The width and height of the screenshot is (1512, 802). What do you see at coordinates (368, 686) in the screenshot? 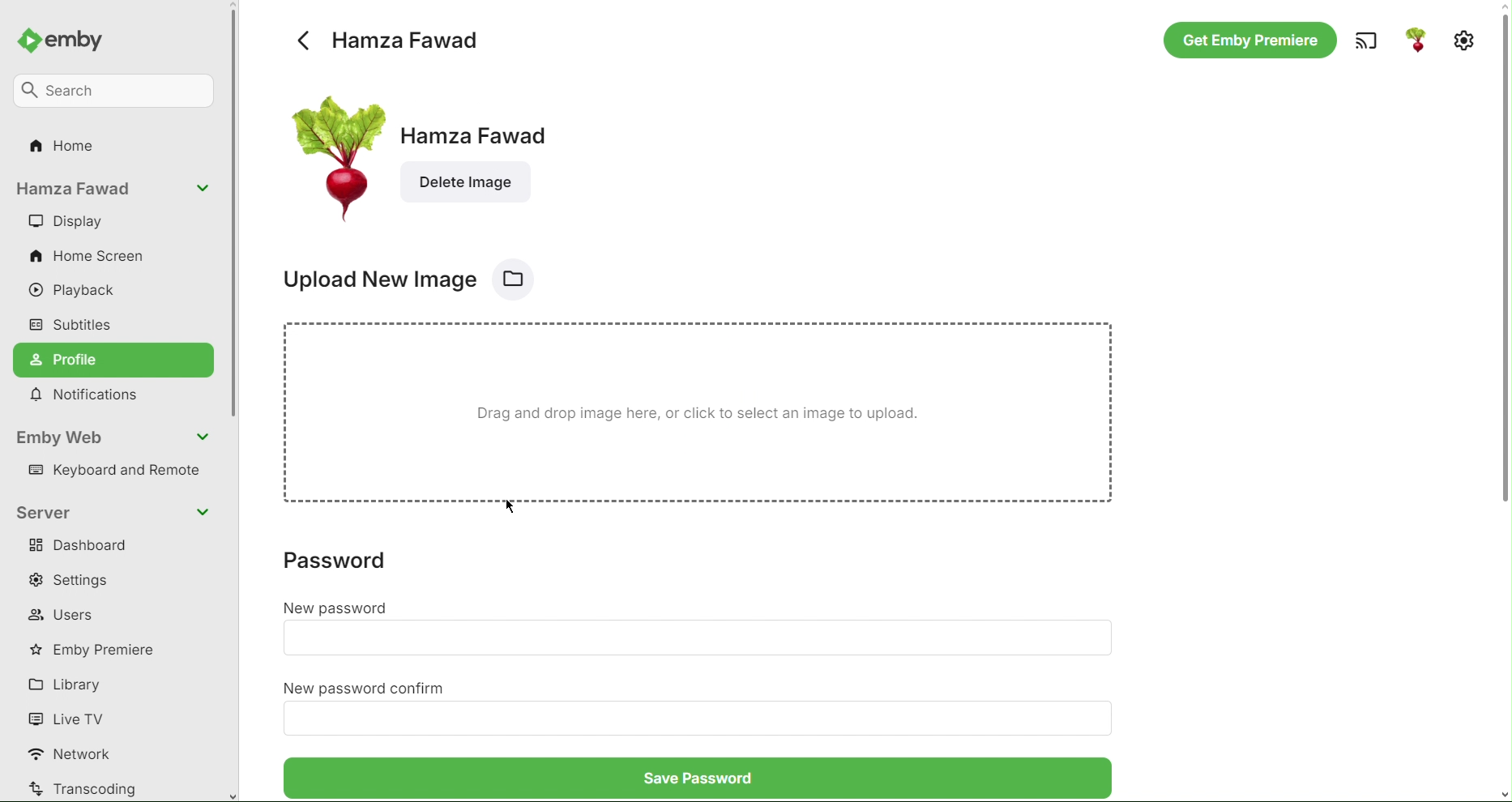
I see `New Password Confirm` at bounding box center [368, 686].